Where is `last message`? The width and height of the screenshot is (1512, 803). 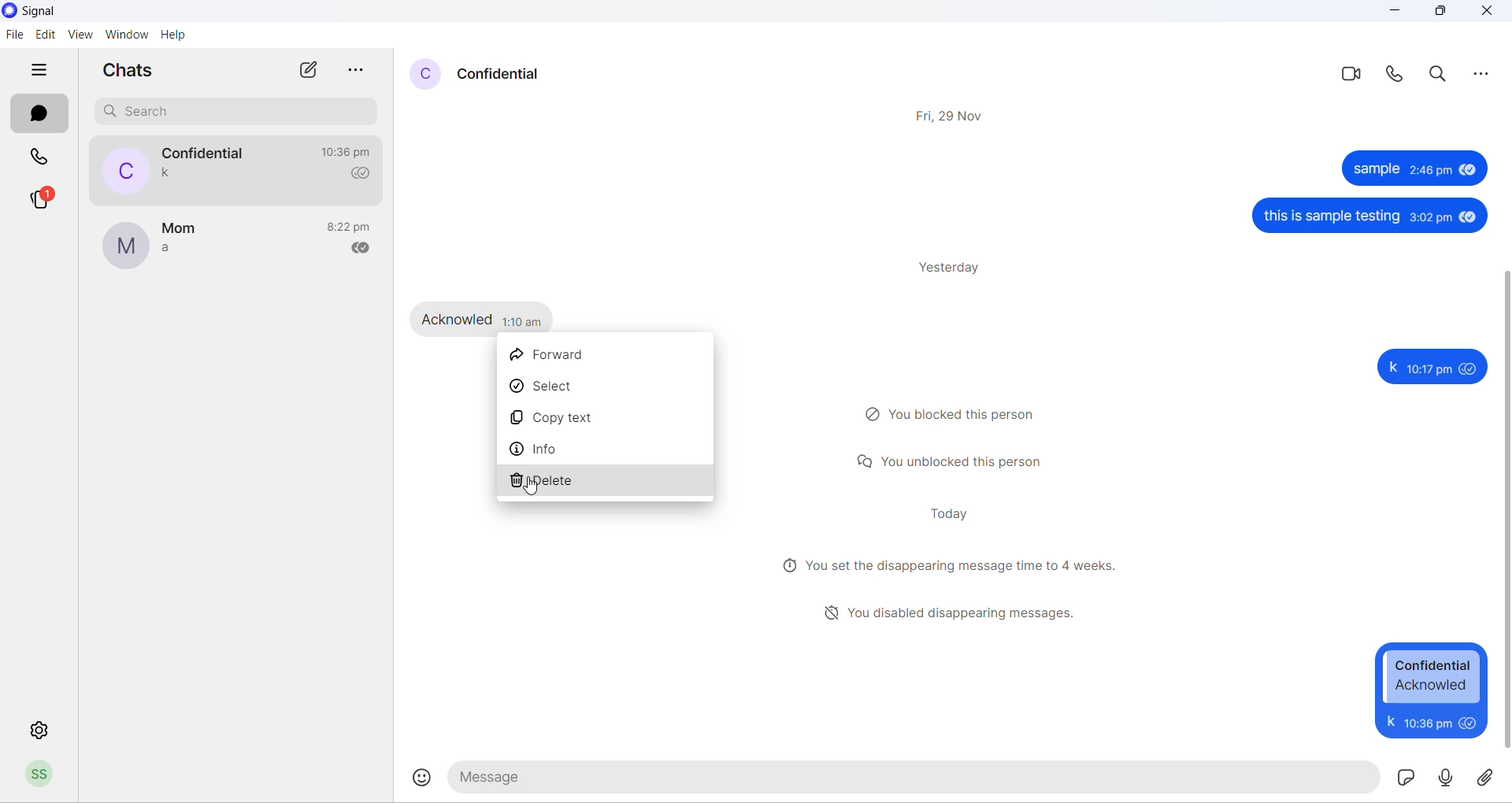
last message is located at coordinates (169, 174).